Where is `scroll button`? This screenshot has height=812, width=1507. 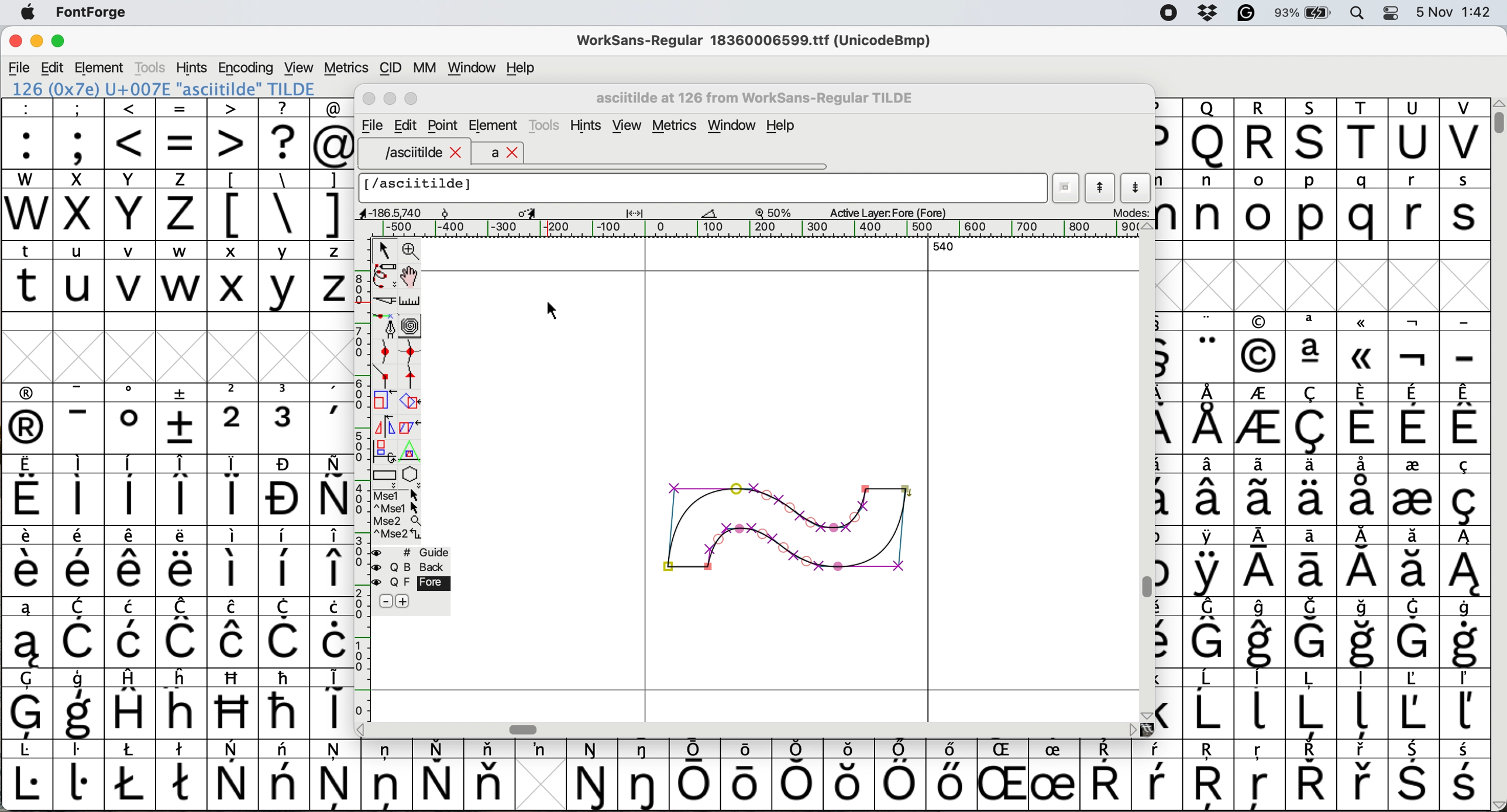 scroll button is located at coordinates (362, 728).